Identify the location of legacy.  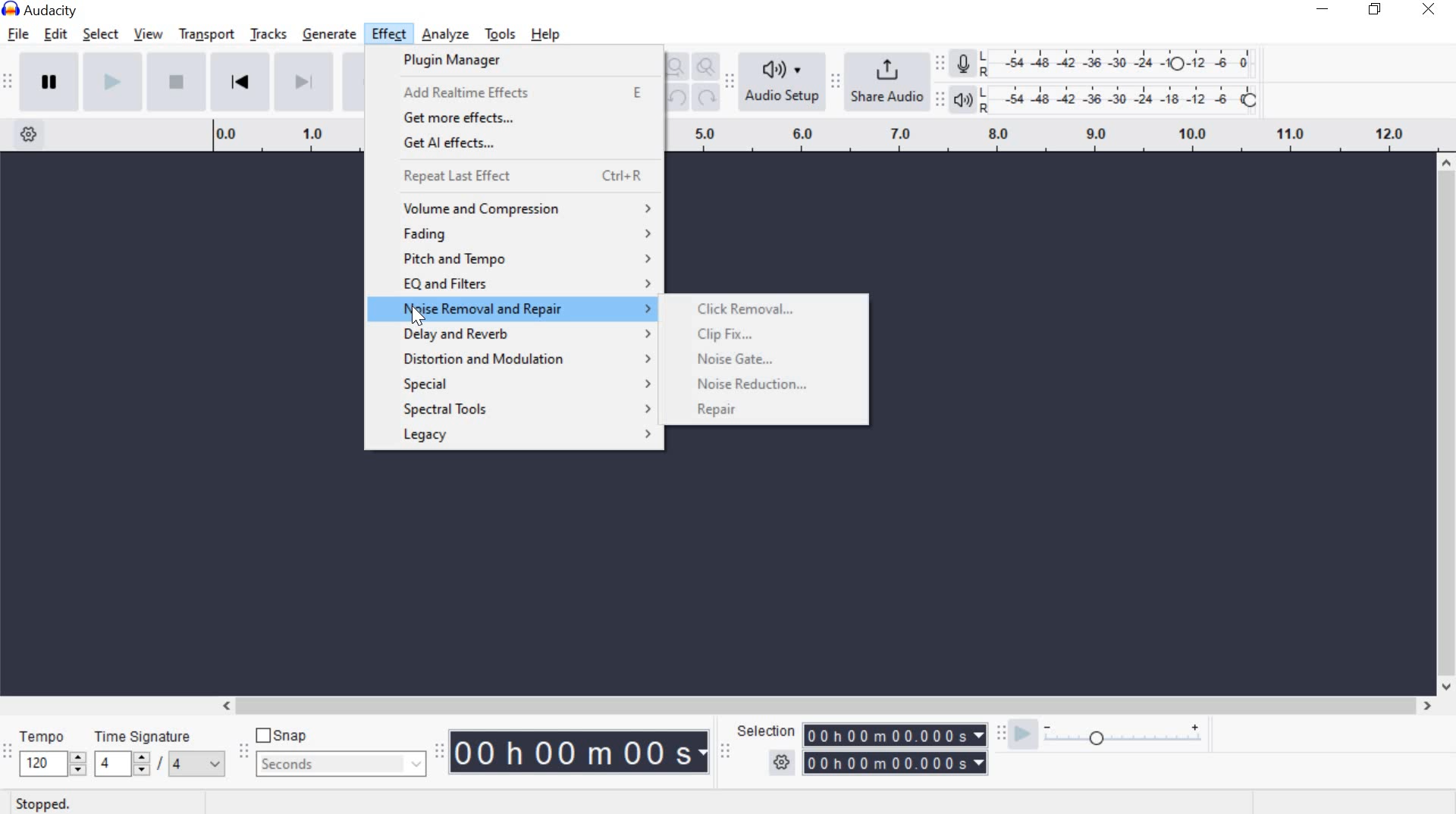
(530, 437).